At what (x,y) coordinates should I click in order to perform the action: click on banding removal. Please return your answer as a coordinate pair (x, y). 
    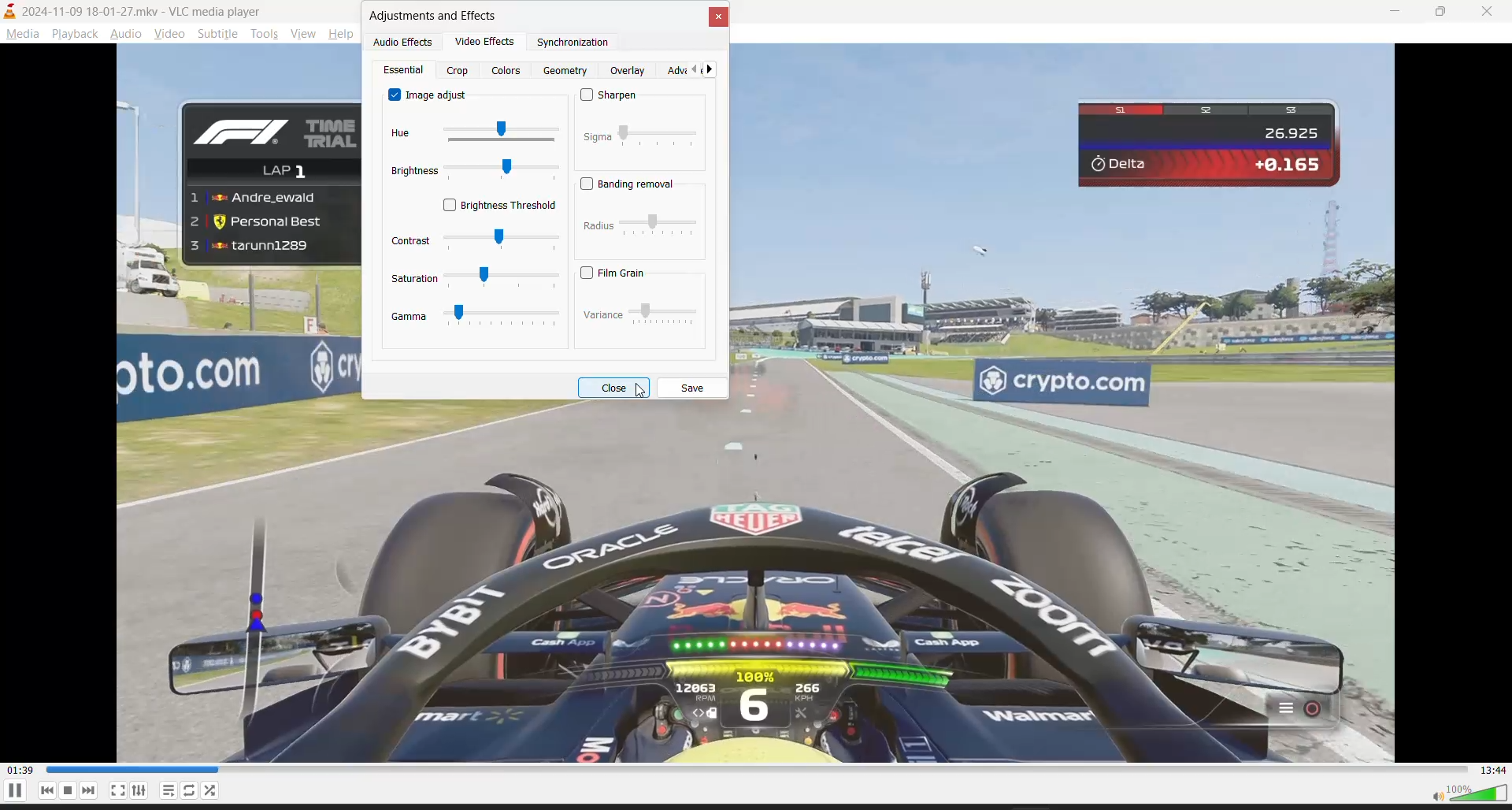
    Looking at the image, I should click on (629, 184).